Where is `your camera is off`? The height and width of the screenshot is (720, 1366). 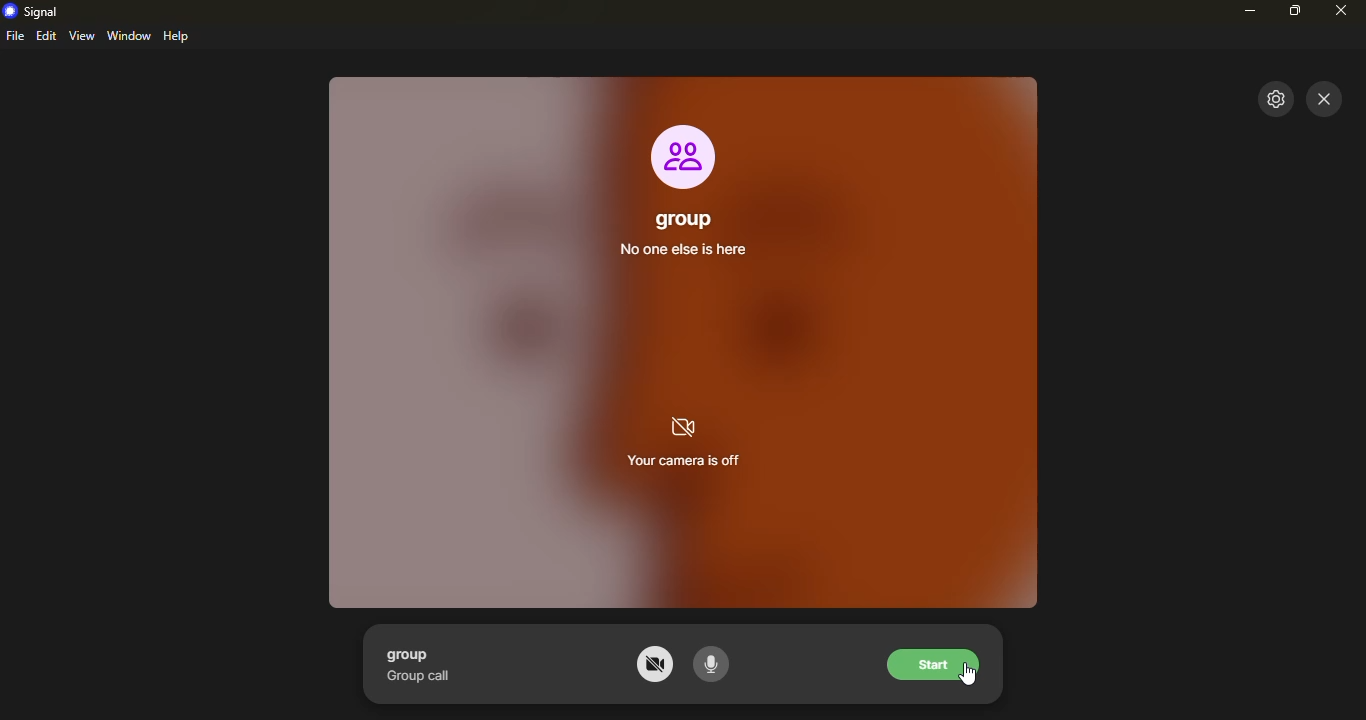 your camera is off is located at coordinates (681, 463).